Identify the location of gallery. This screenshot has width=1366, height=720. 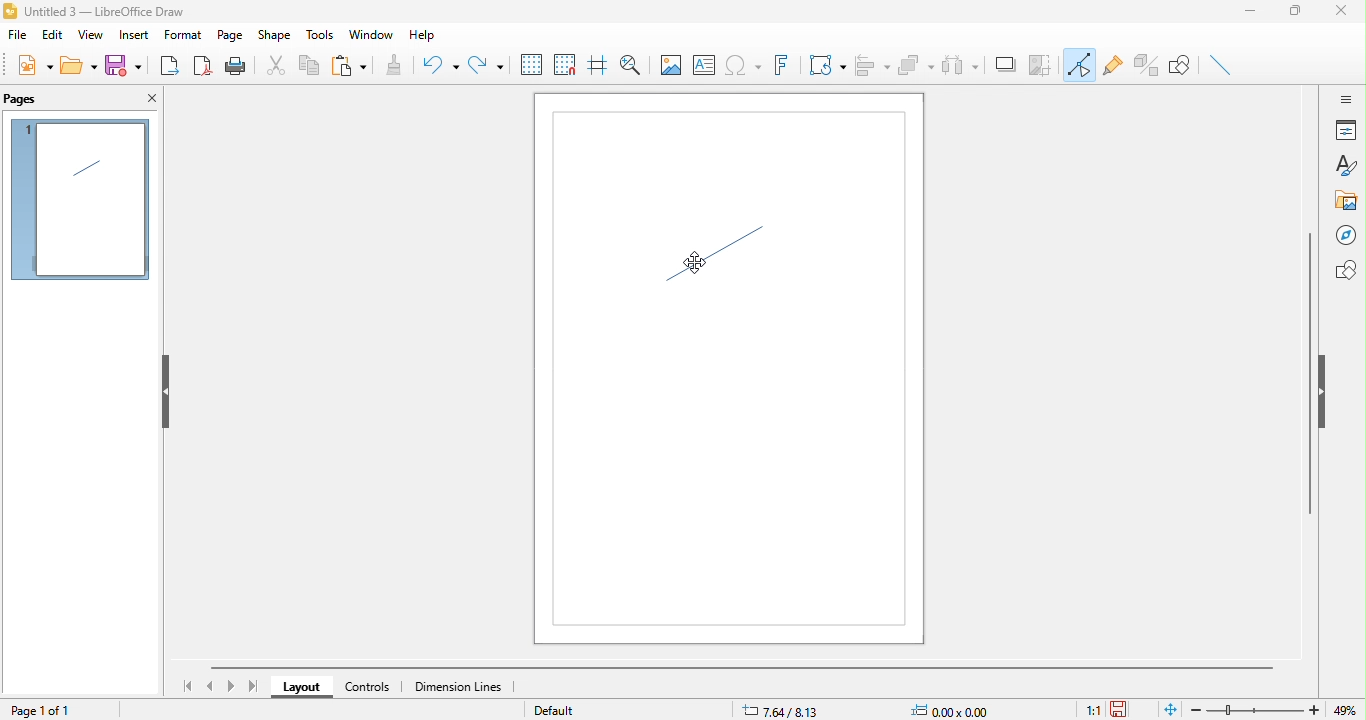
(1347, 201).